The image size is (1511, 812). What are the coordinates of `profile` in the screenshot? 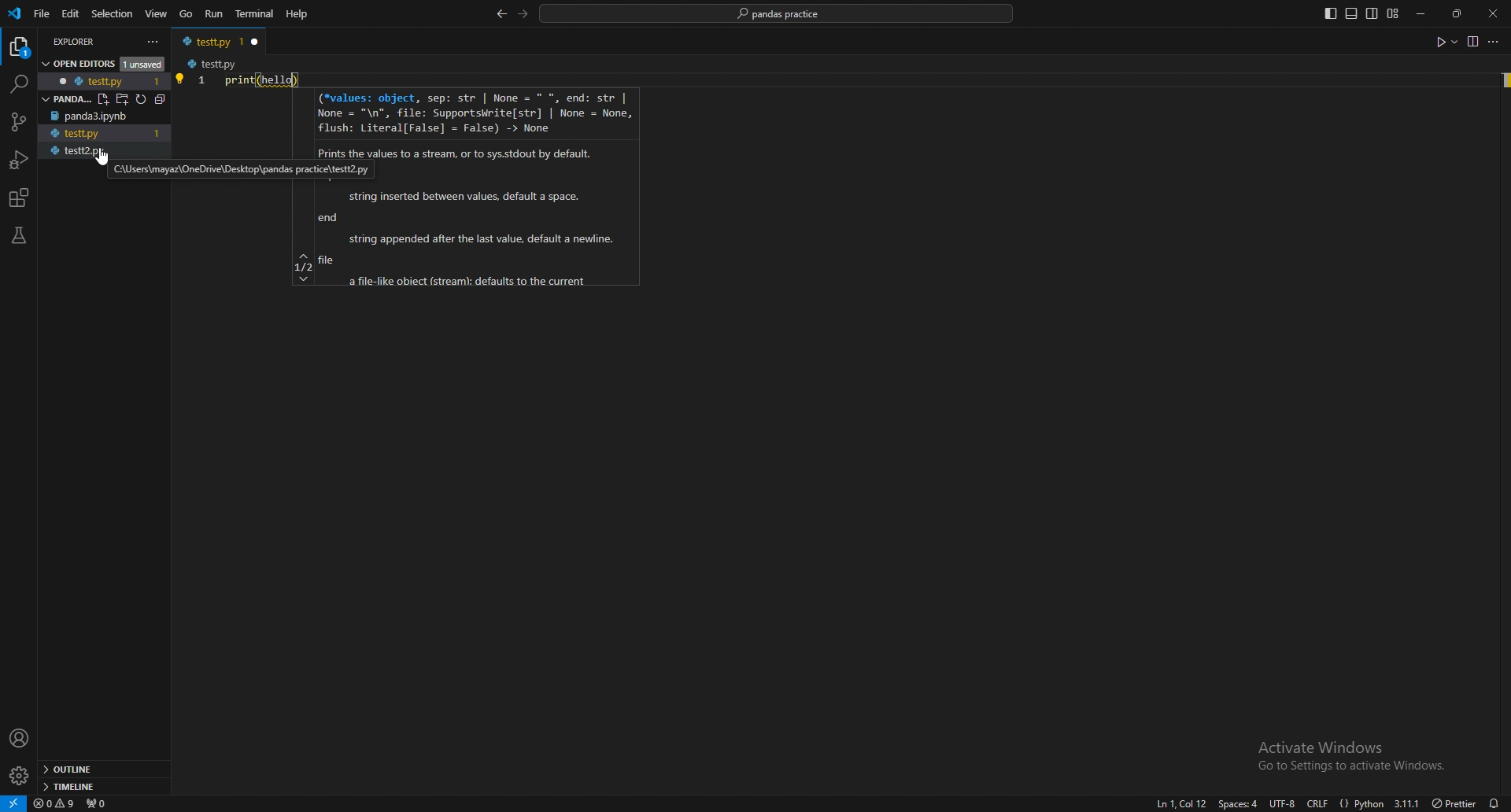 It's located at (20, 739).